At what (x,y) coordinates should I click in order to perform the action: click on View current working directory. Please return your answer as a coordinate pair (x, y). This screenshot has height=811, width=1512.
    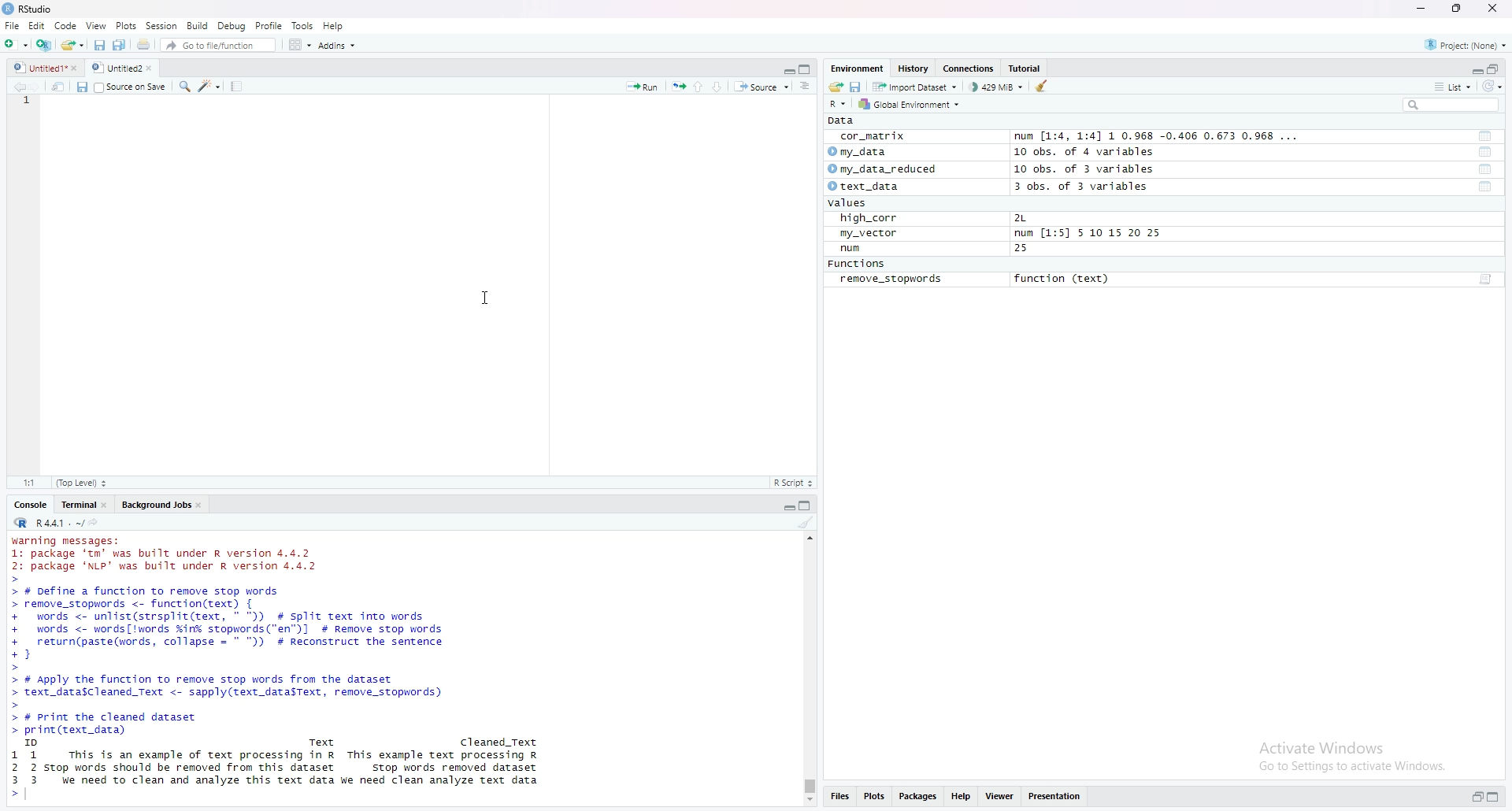
    Looking at the image, I should click on (93, 520).